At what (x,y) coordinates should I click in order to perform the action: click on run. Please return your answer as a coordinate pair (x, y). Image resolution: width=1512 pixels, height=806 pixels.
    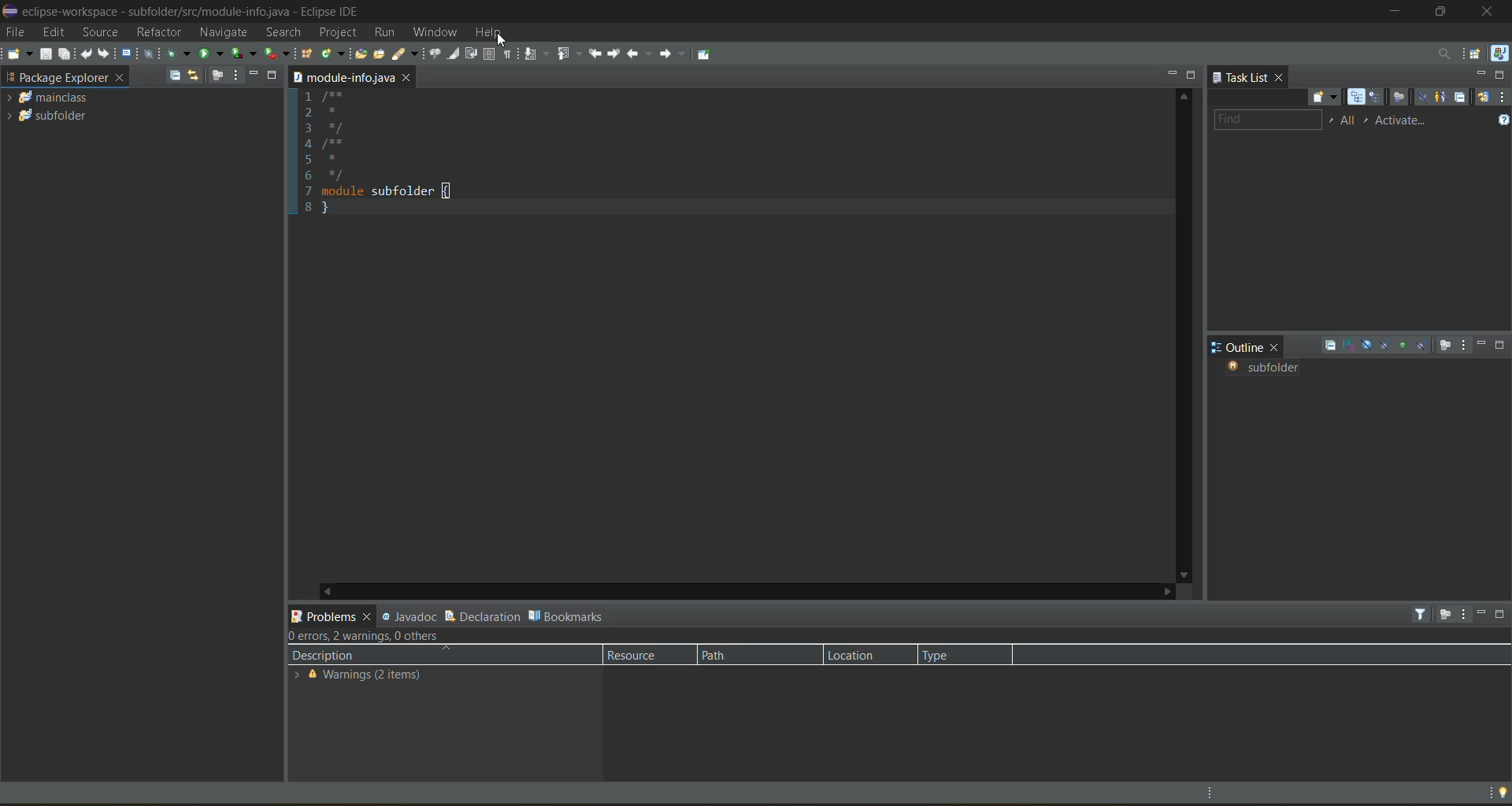
    Looking at the image, I should click on (212, 54).